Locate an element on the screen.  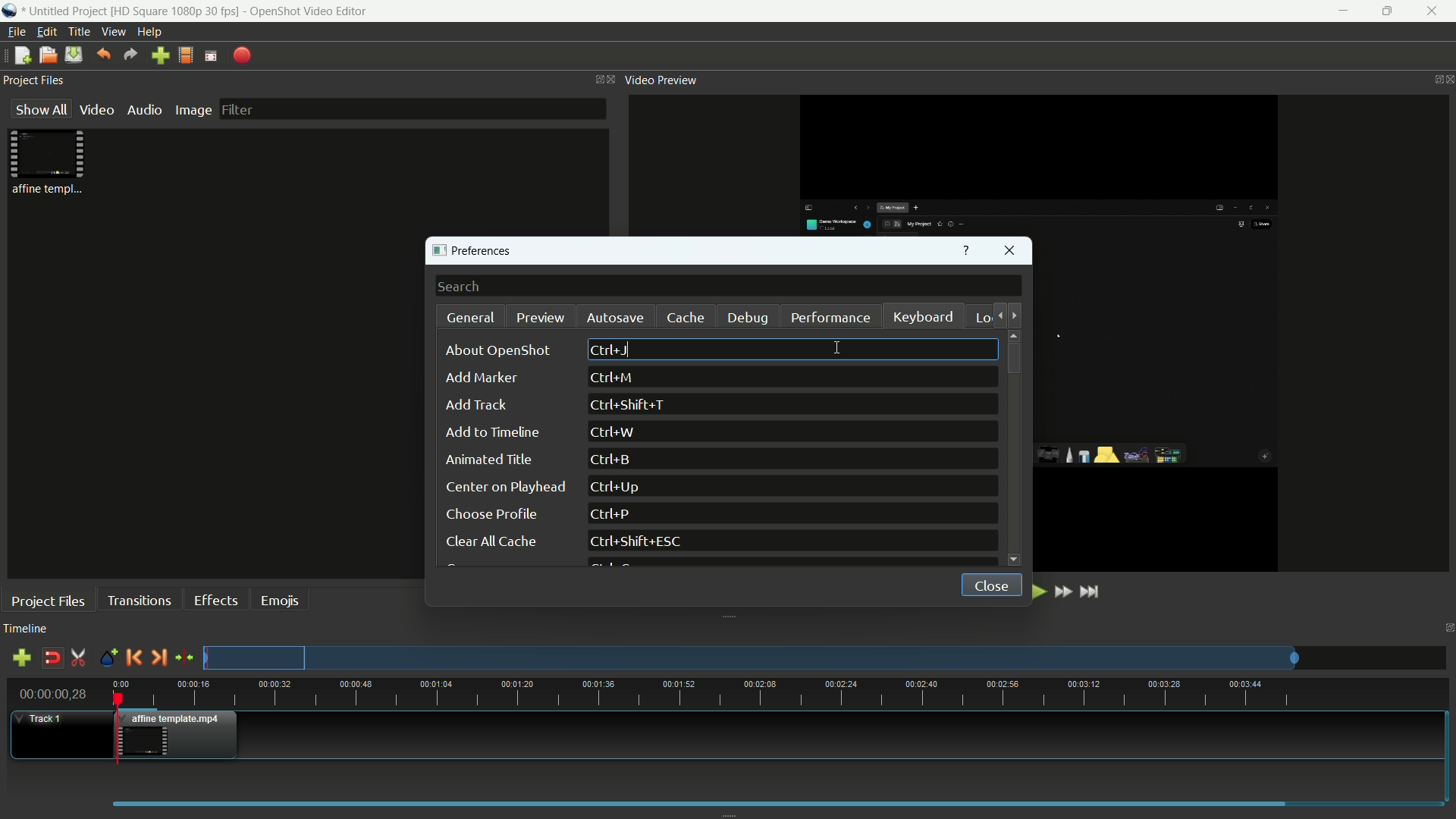
project name is located at coordinates (67, 12).